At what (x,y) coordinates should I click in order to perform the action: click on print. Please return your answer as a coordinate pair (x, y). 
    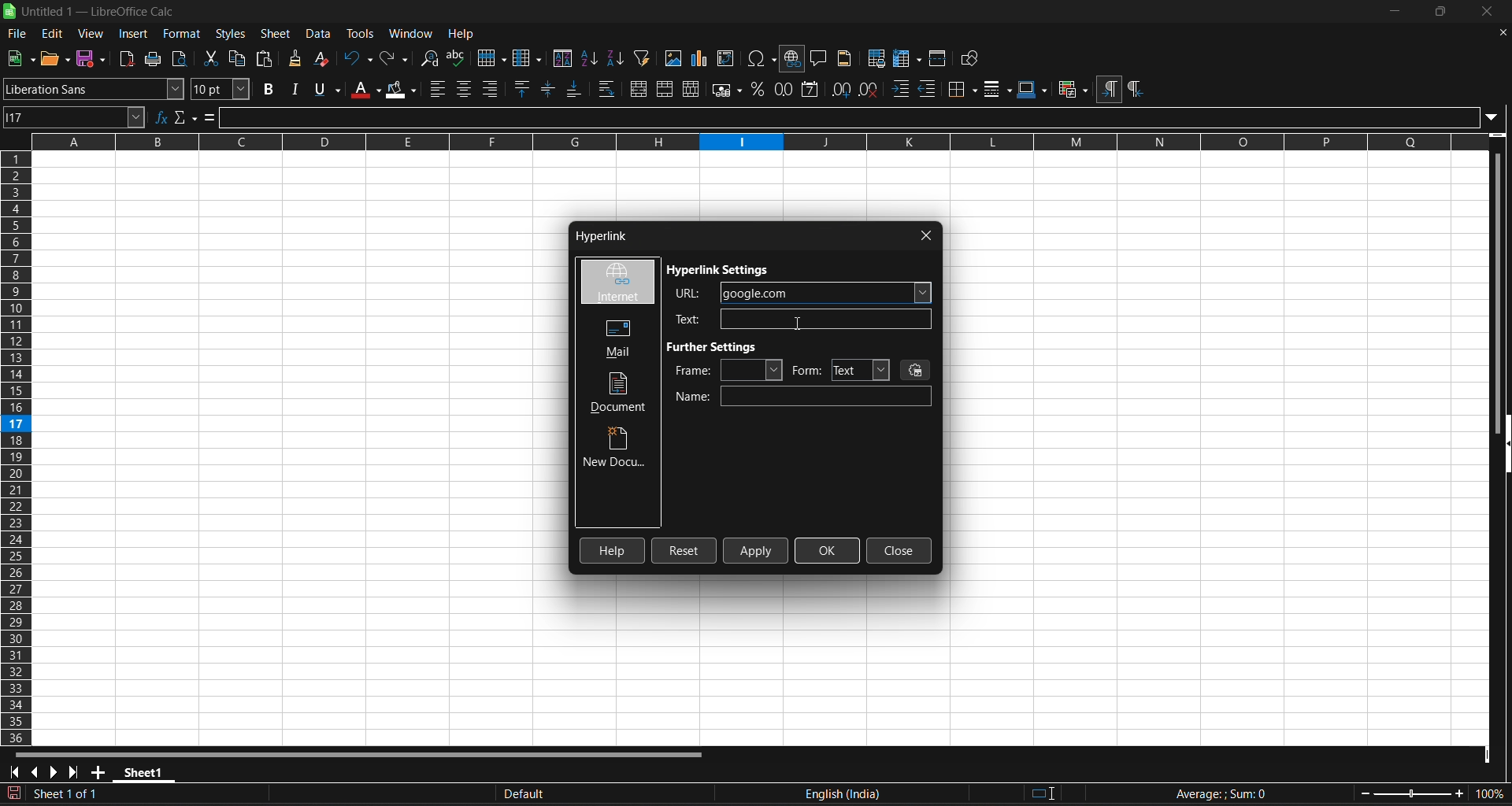
    Looking at the image, I should click on (157, 58).